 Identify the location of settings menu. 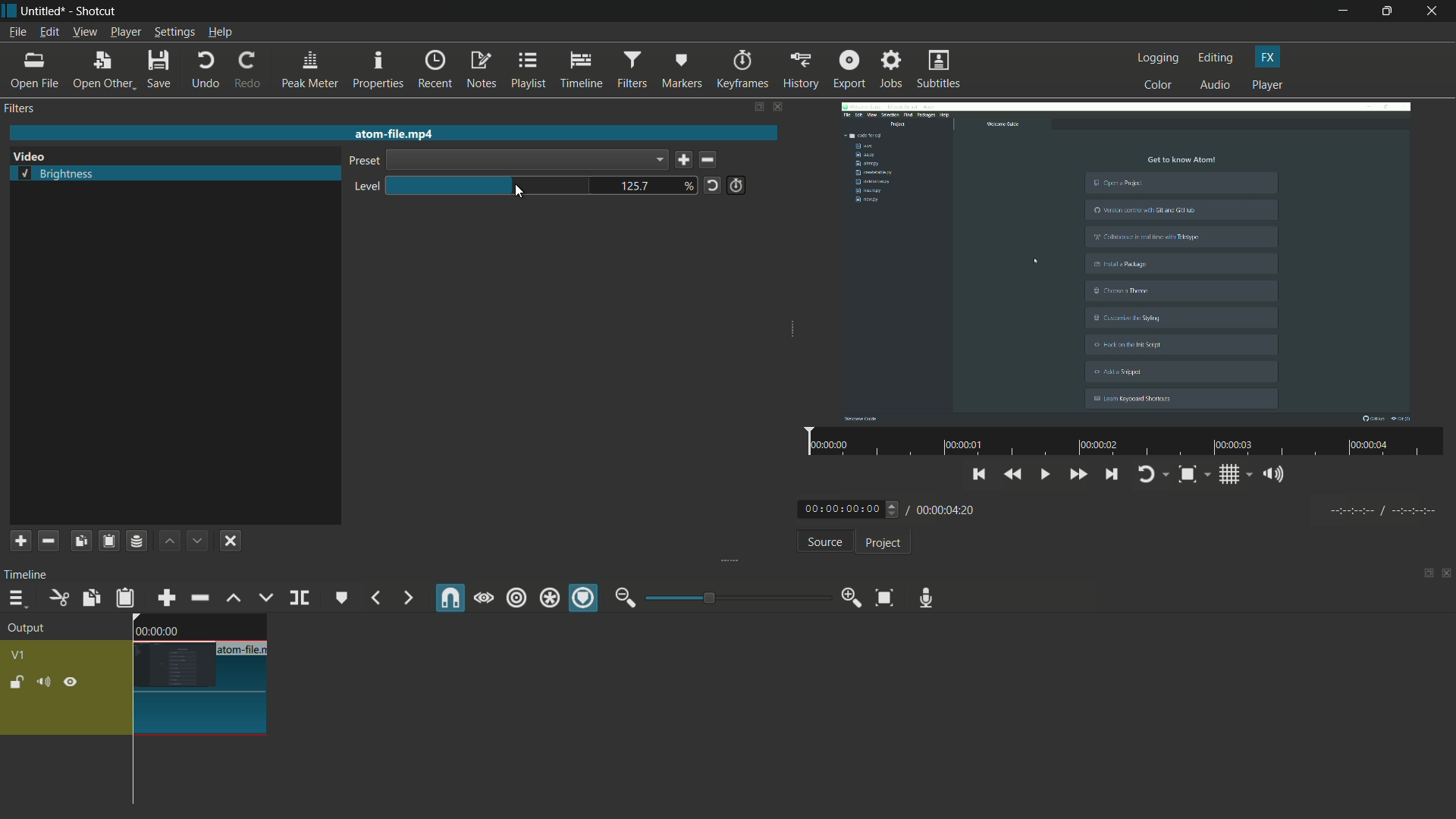
(175, 33).